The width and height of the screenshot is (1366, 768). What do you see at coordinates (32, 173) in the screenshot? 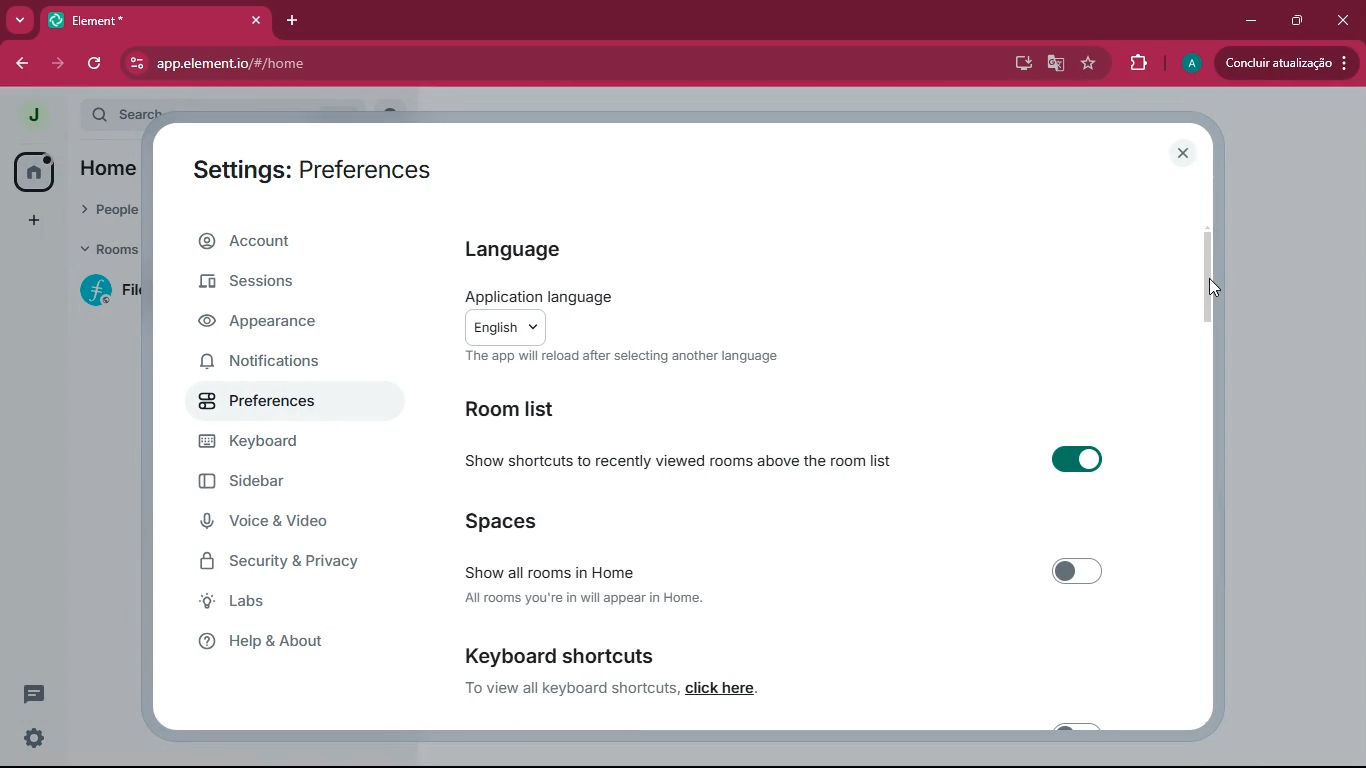
I see `home` at bounding box center [32, 173].